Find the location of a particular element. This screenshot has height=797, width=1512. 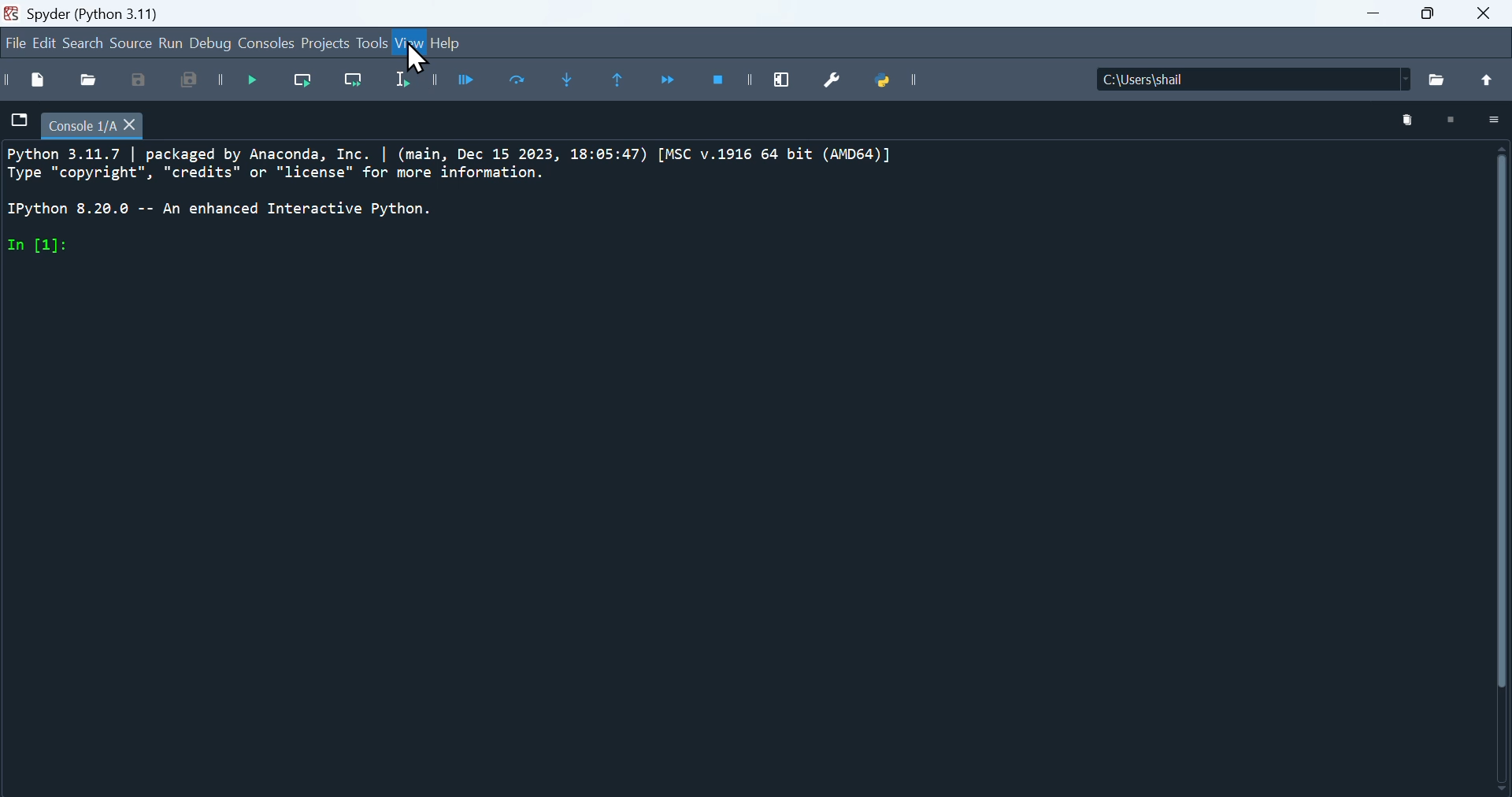

Stop is located at coordinates (1454, 120).